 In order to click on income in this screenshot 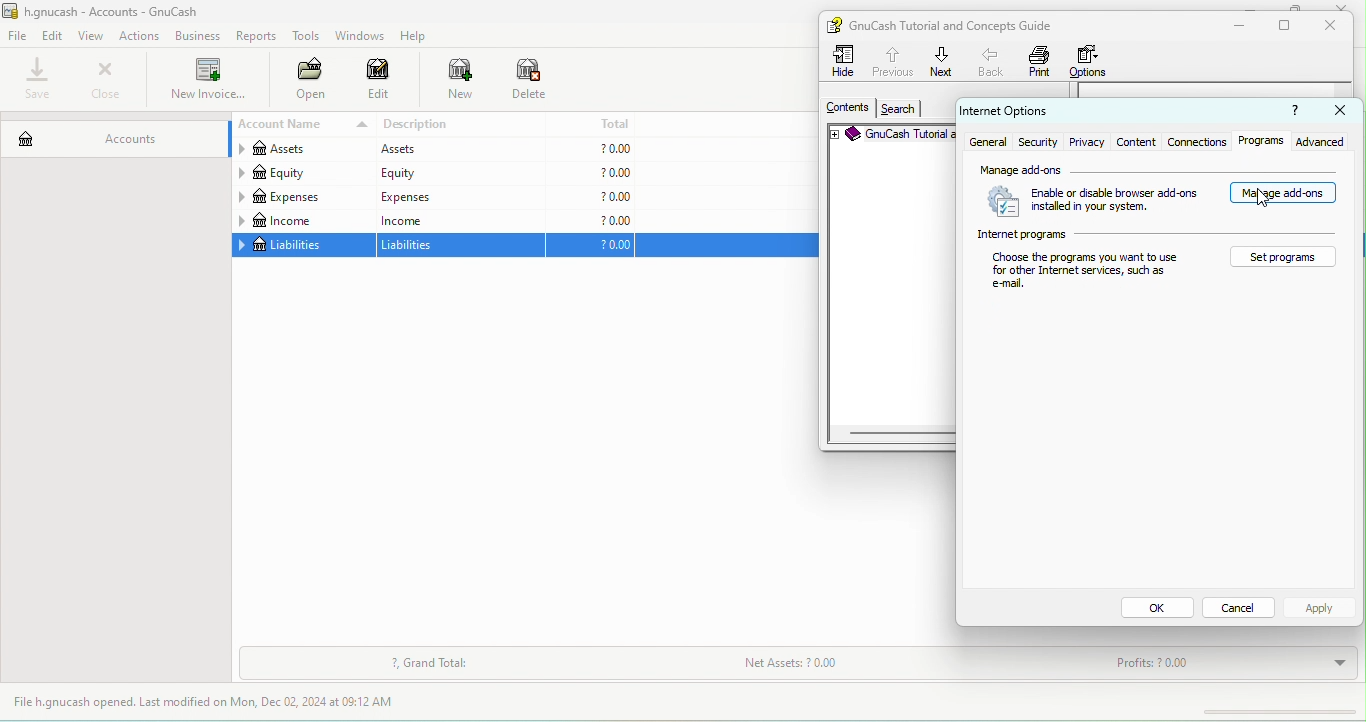, I will do `click(302, 221)`.